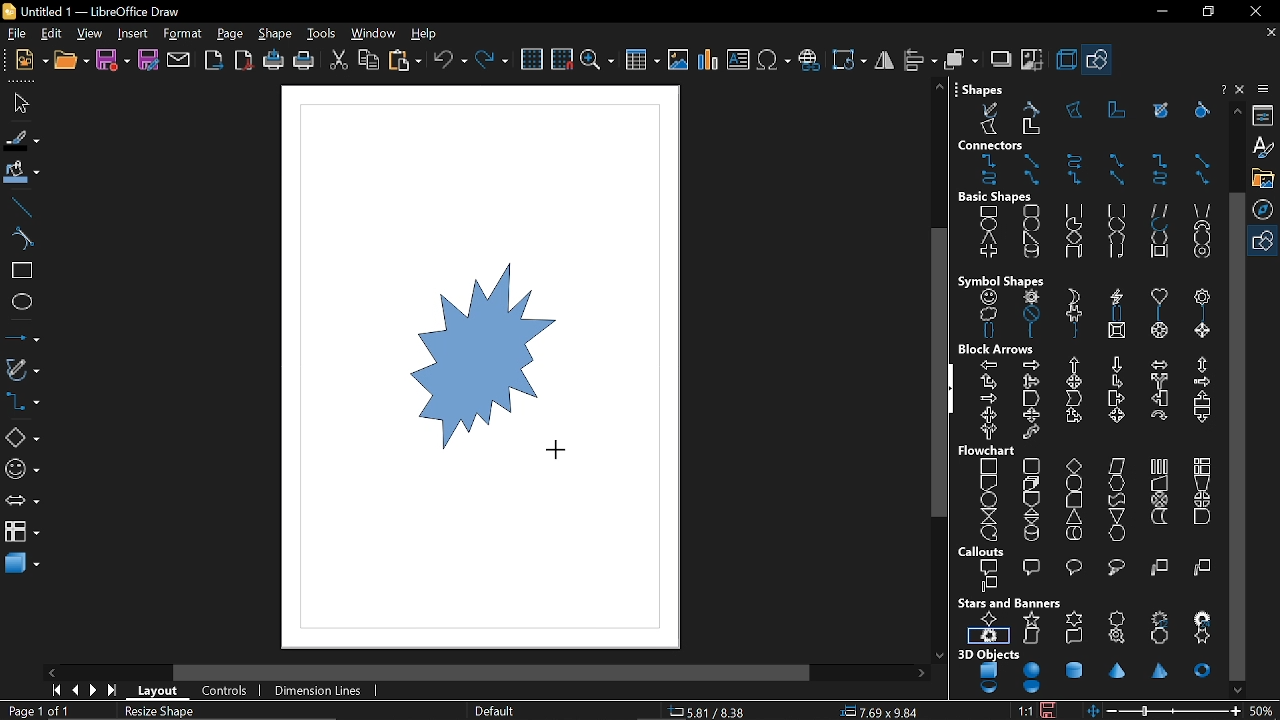 The image size is (1280, 720). I want to click on star and boxes, so click(1088, 621).